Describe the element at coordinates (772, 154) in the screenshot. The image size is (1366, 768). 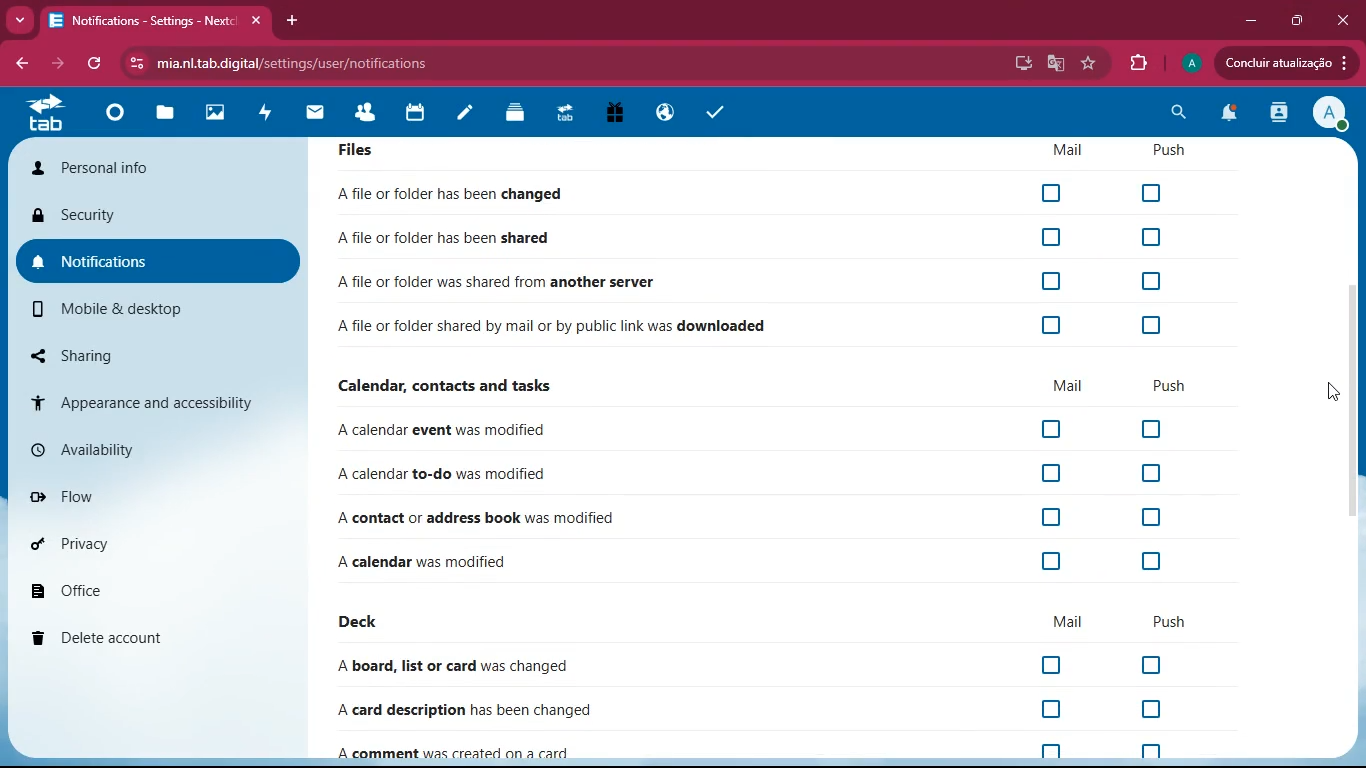
I see `Files` at that location.